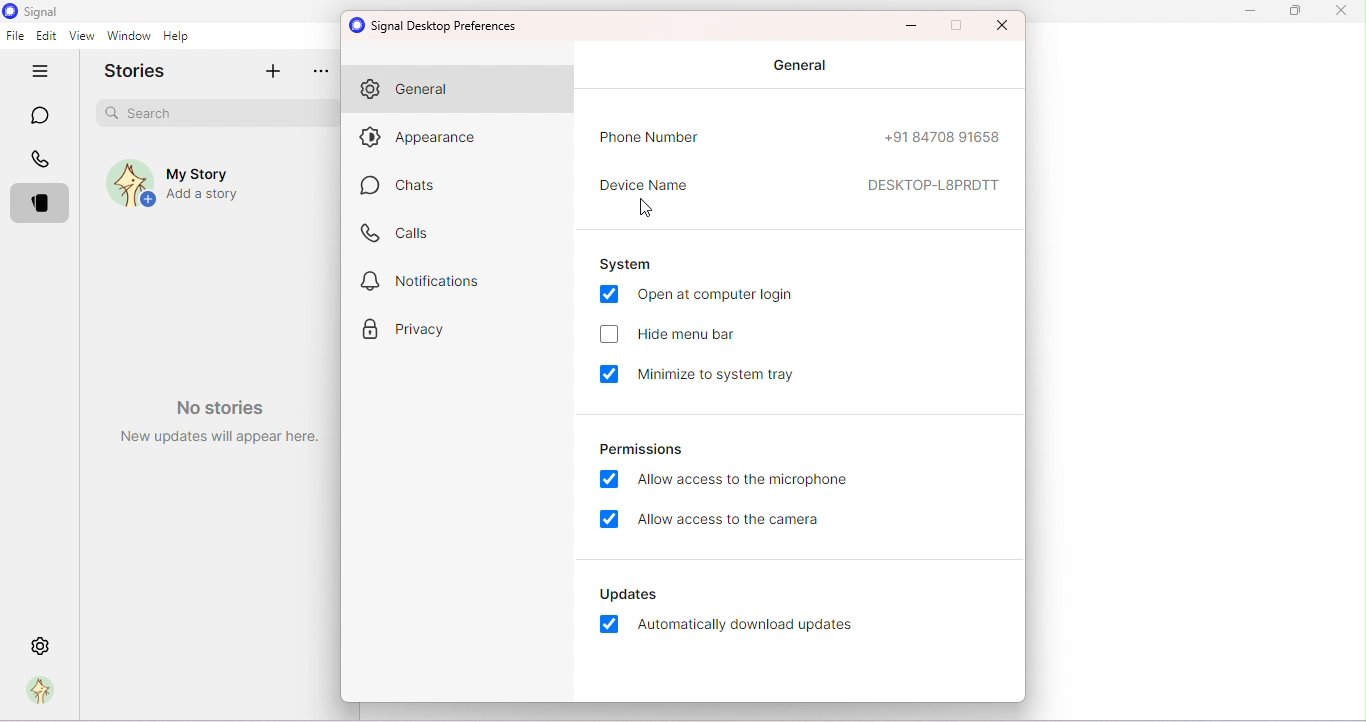 The image size is (1366, 722). I want to click on Add story, so click(277, 72).